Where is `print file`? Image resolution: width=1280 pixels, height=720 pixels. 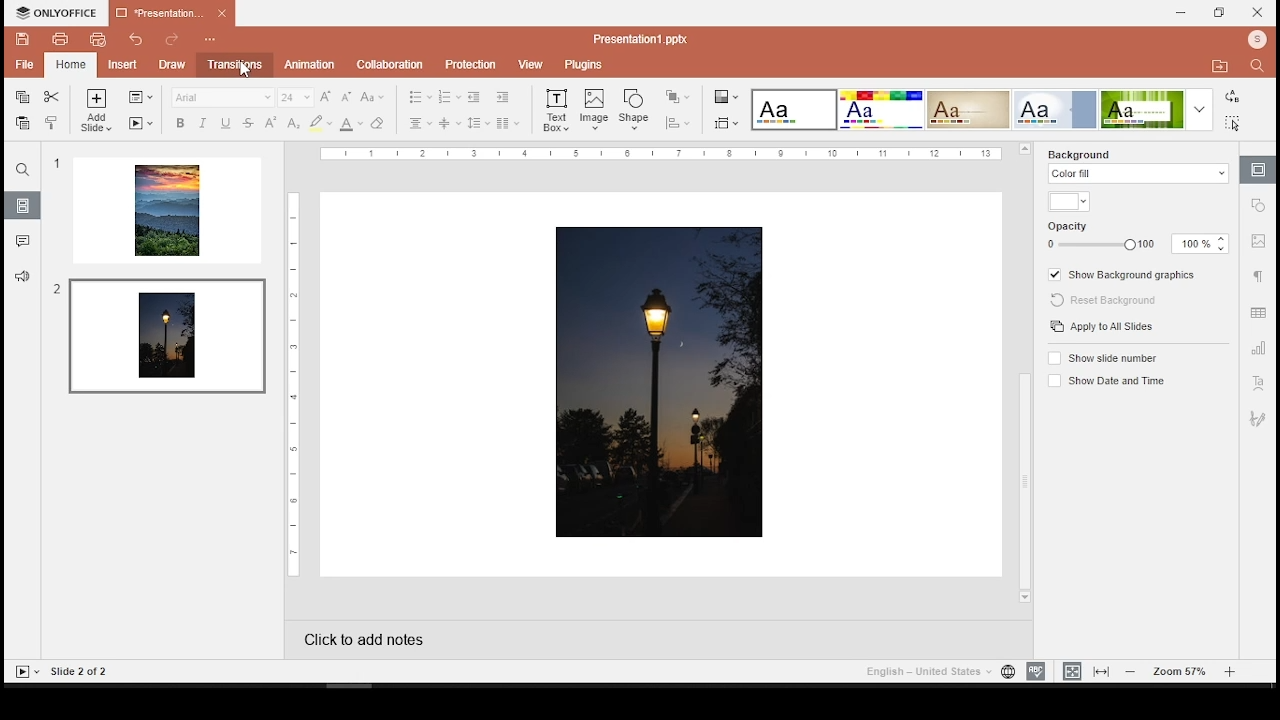
print file is located at coordinates (60, 40).